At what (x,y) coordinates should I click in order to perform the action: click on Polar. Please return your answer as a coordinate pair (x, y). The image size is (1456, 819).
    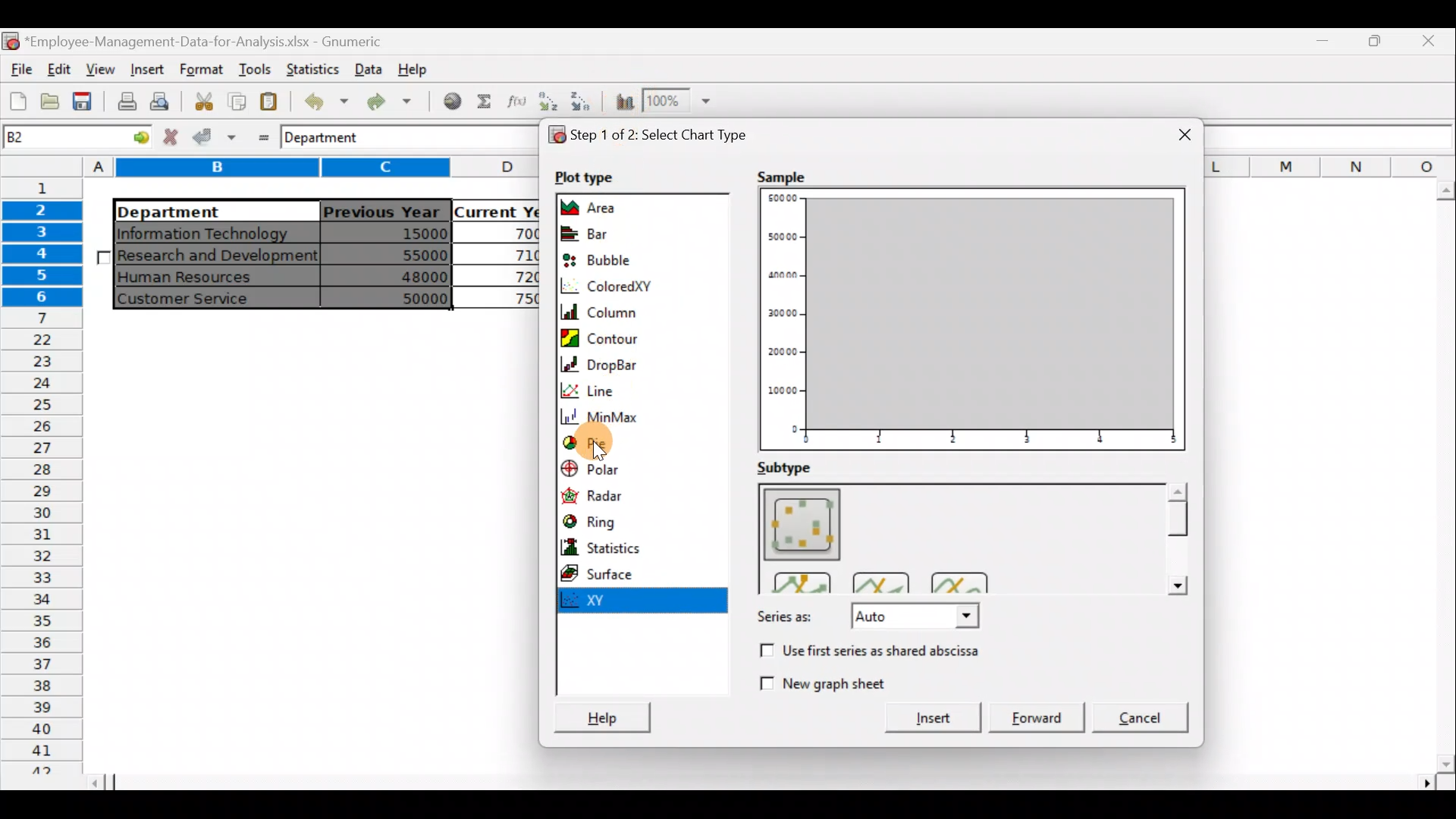
    Looking at the image, I should click on (614, 470).